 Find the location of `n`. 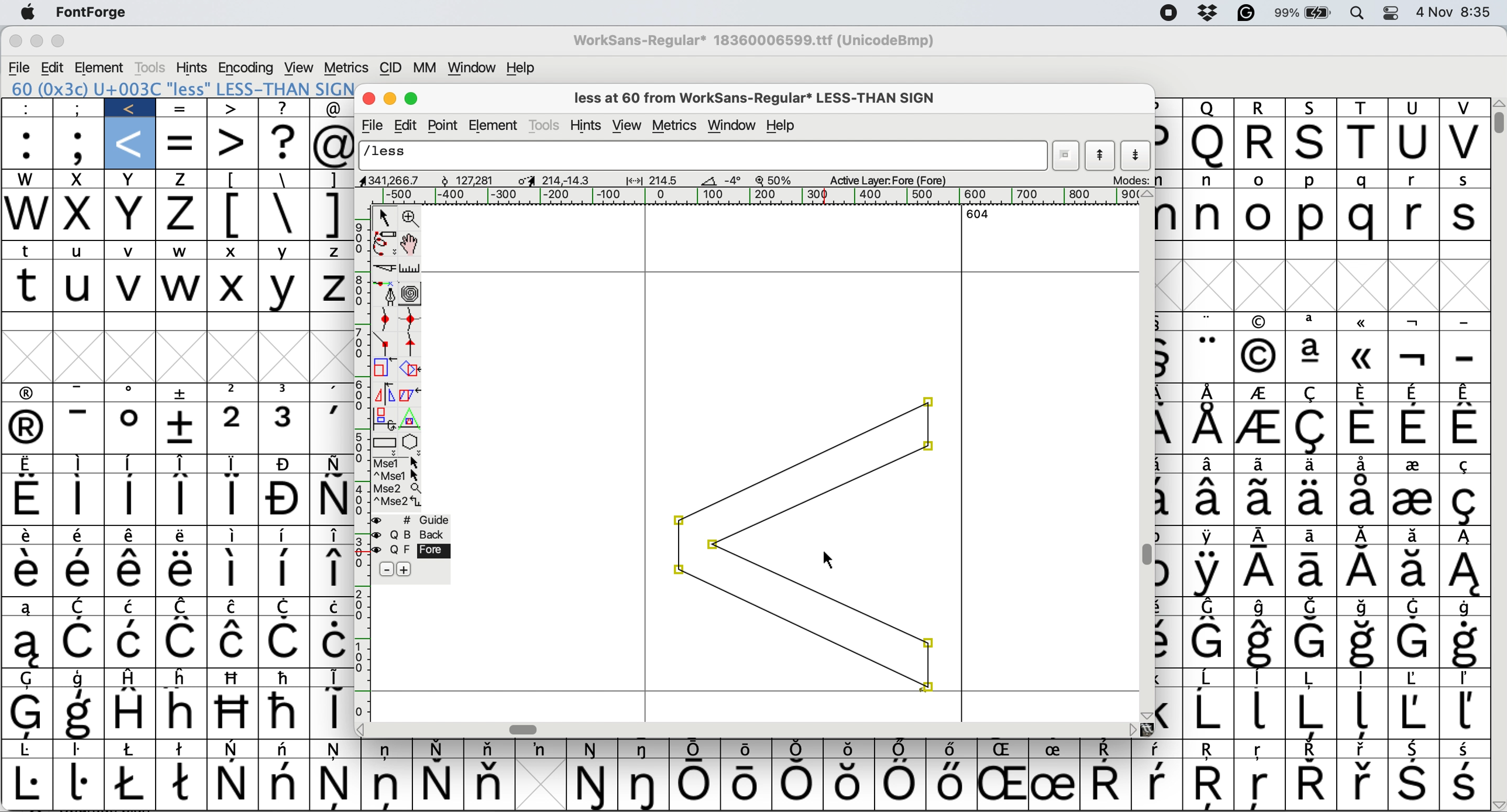

n is located at coordinates (1210, 215).